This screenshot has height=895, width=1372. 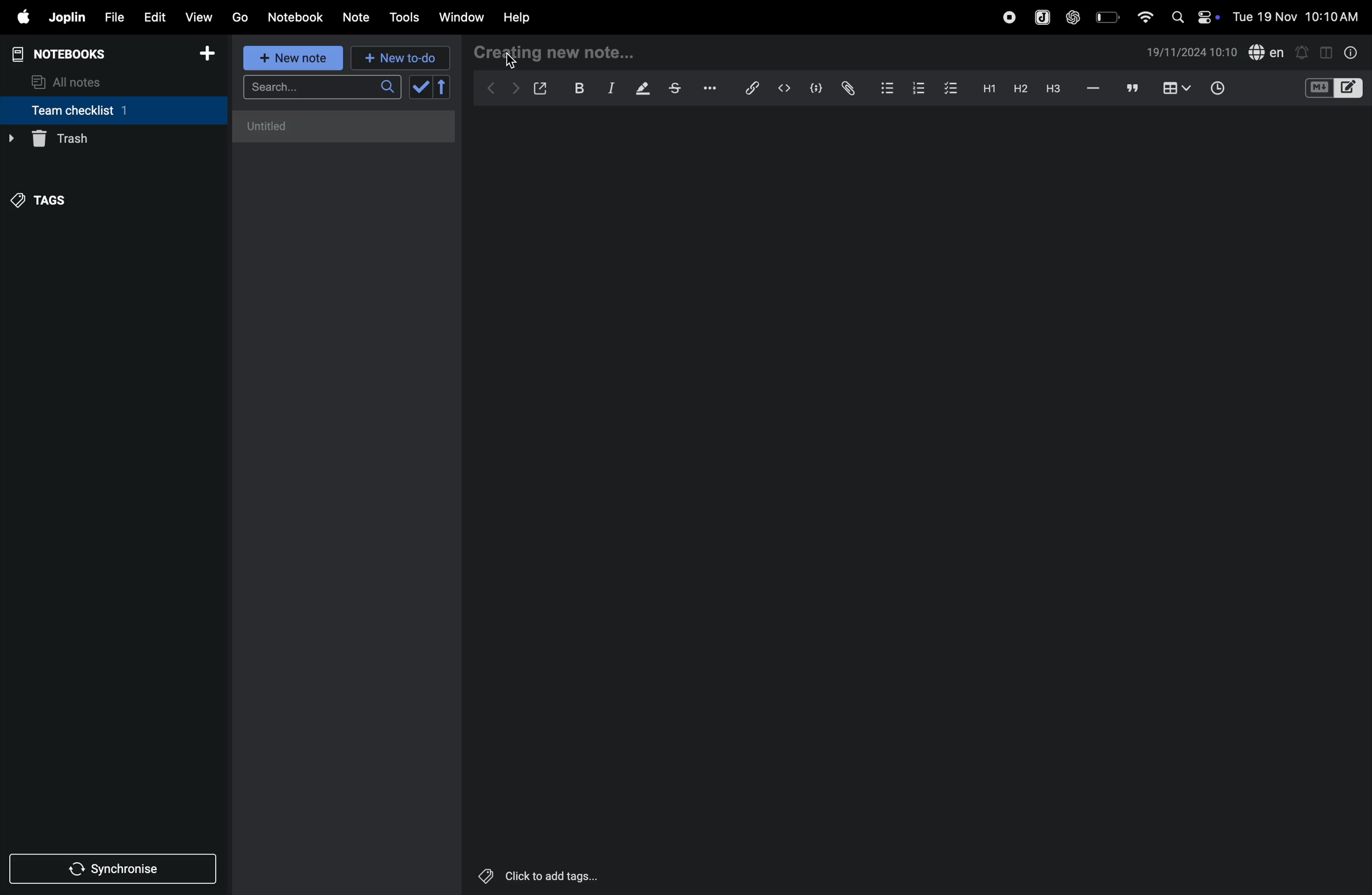 I want to click on bold, so click(x=578, y=87).